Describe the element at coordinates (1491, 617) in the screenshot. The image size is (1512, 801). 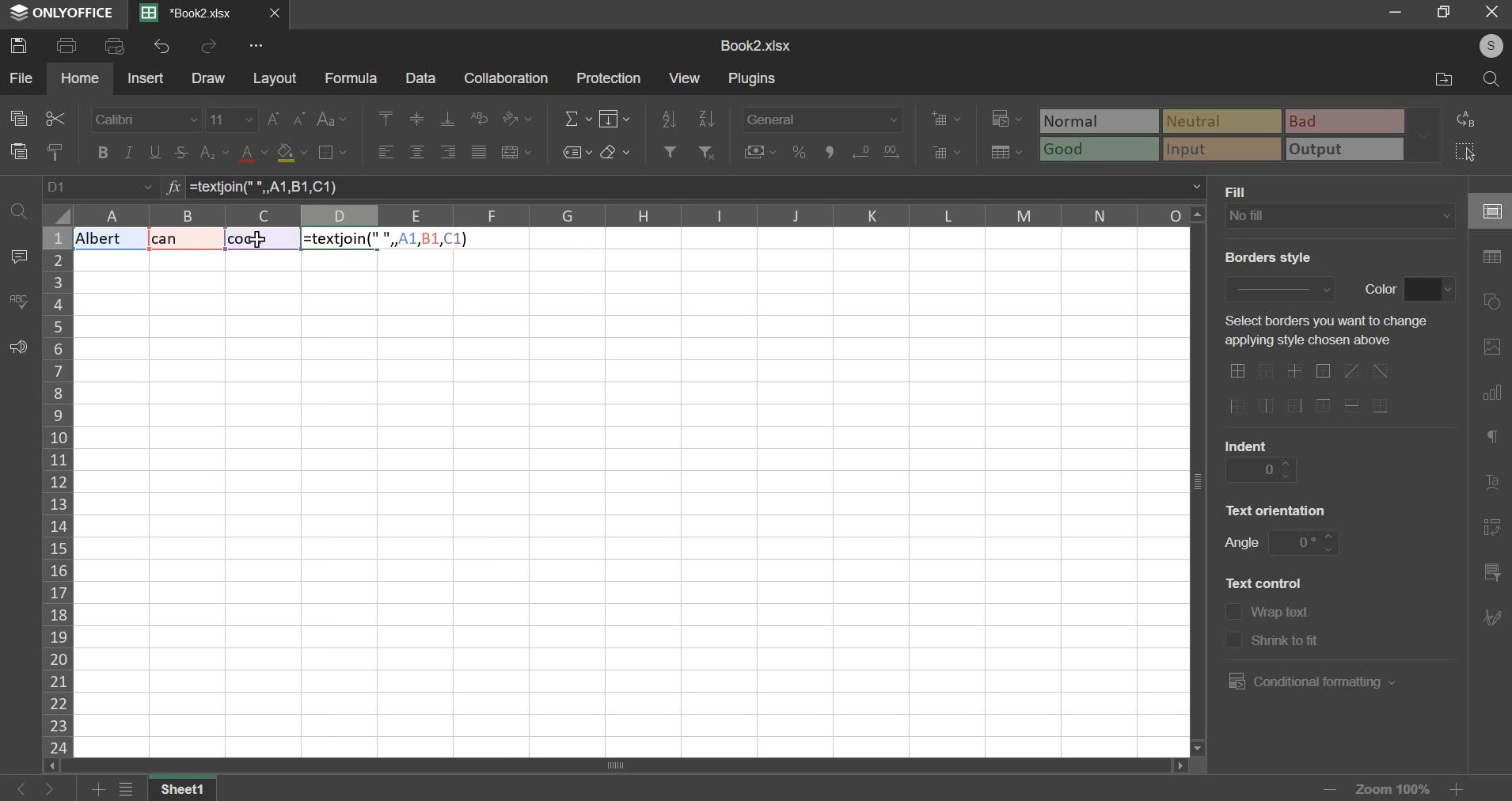
I see `signature` at that location.